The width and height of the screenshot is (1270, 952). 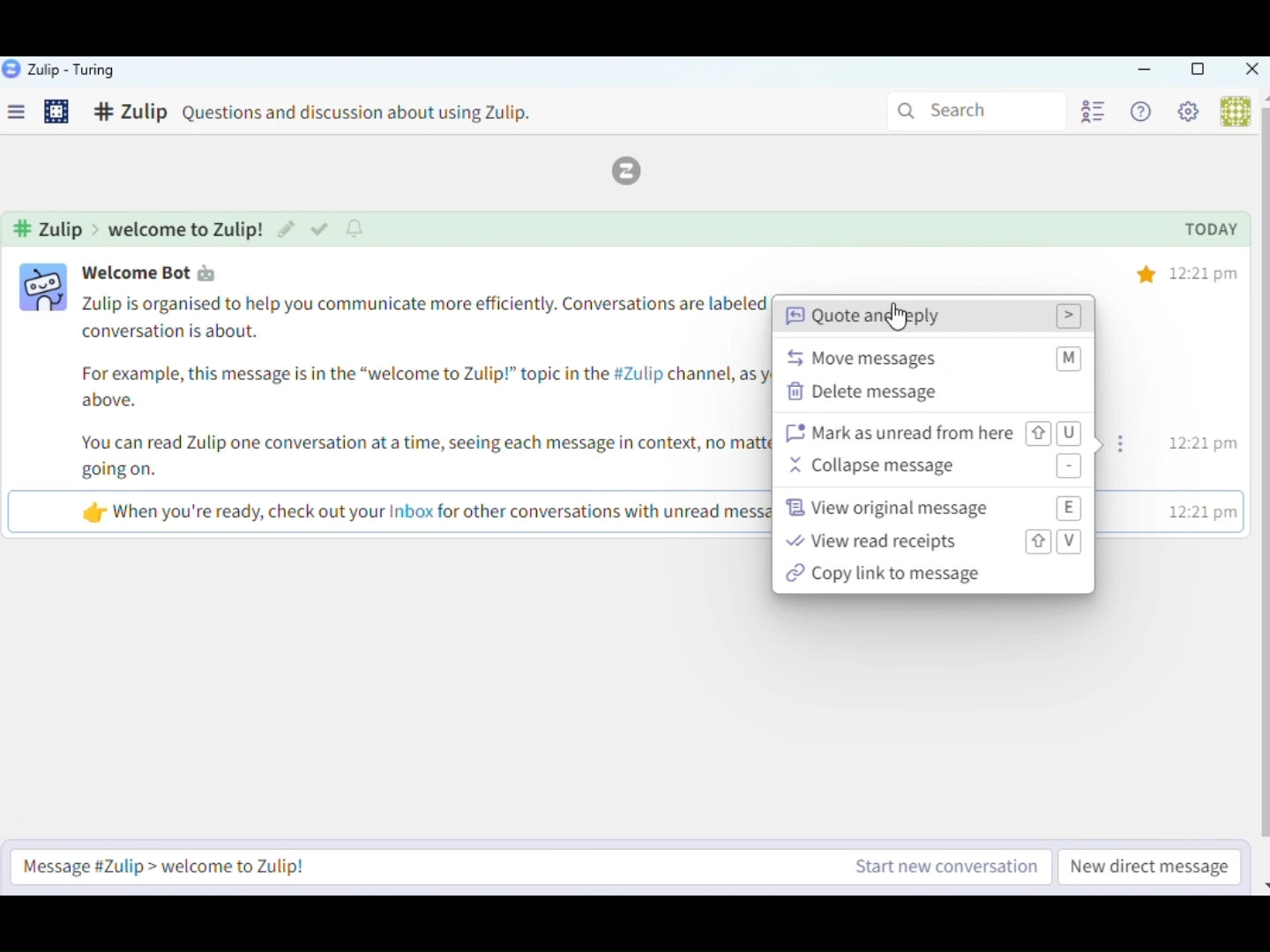 What do you see at coordinates (935, 356) in the screenshot?
I see `Move messages` at bounding box center [935, 356].